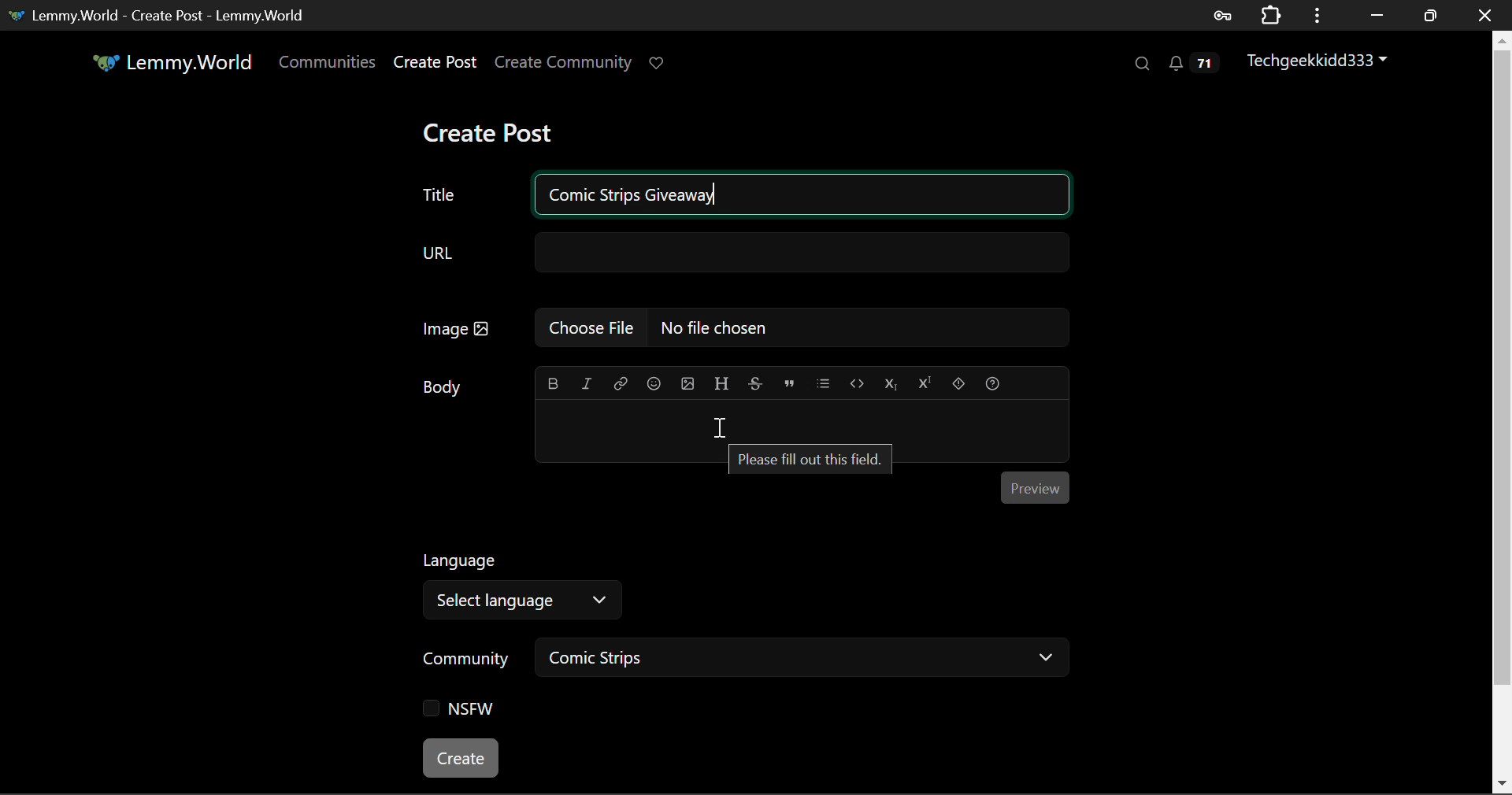 The image size is (1512, 795). Describe the element at coordinates (434, 63) in the screenshot. I see `Create Post` at that location.